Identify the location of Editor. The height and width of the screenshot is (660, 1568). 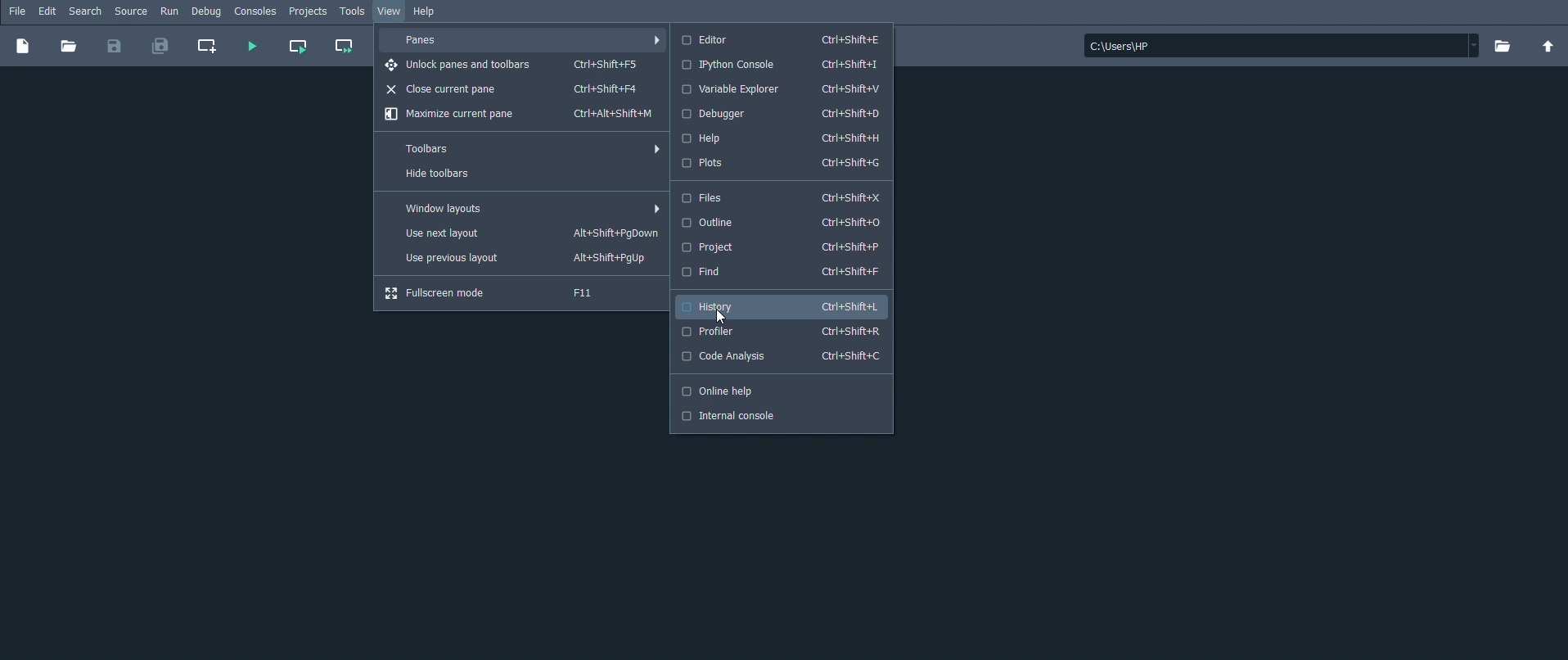
(786, 40).